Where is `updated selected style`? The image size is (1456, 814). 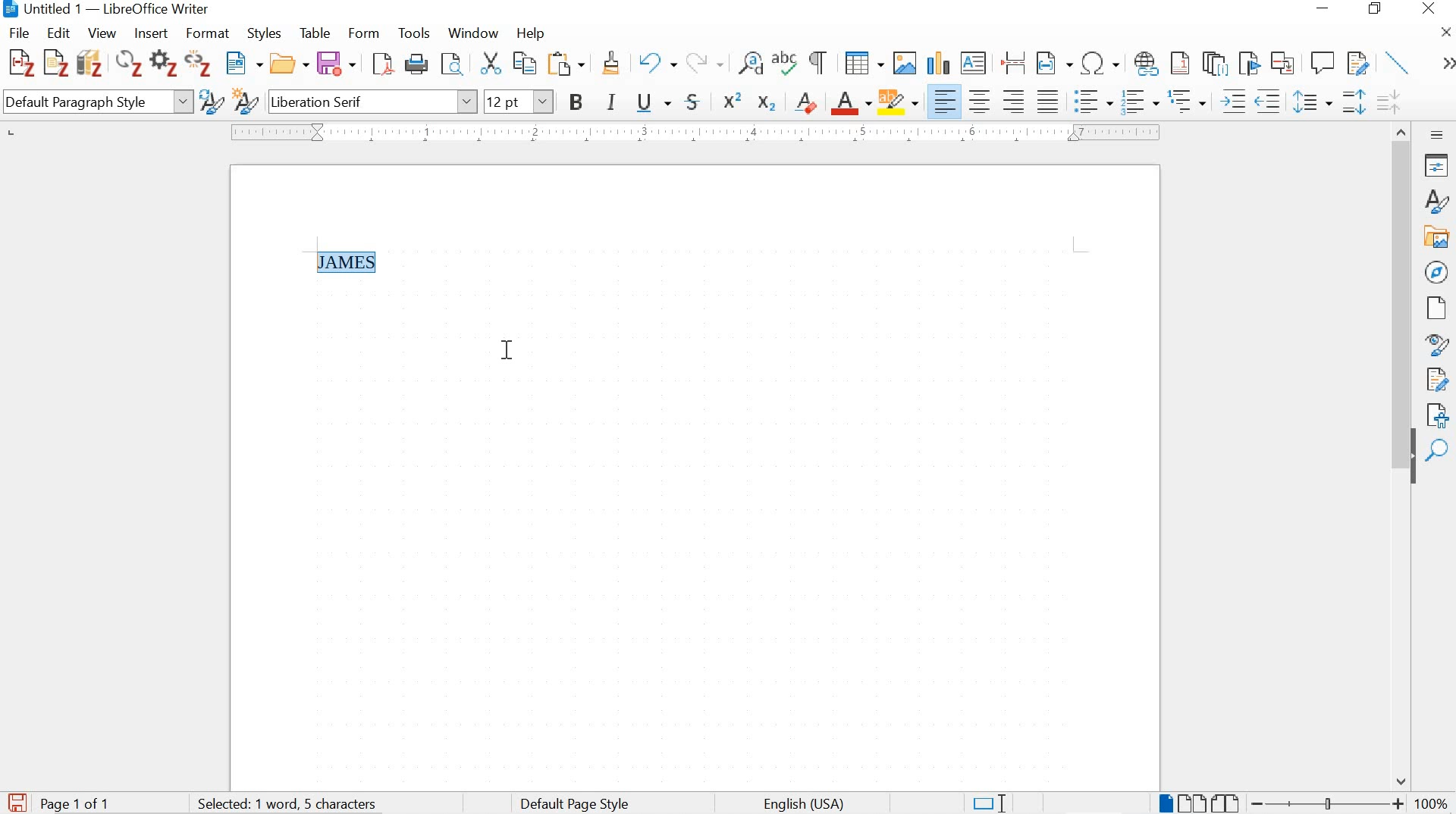
updated selected style is located at coordinates (210, 102).